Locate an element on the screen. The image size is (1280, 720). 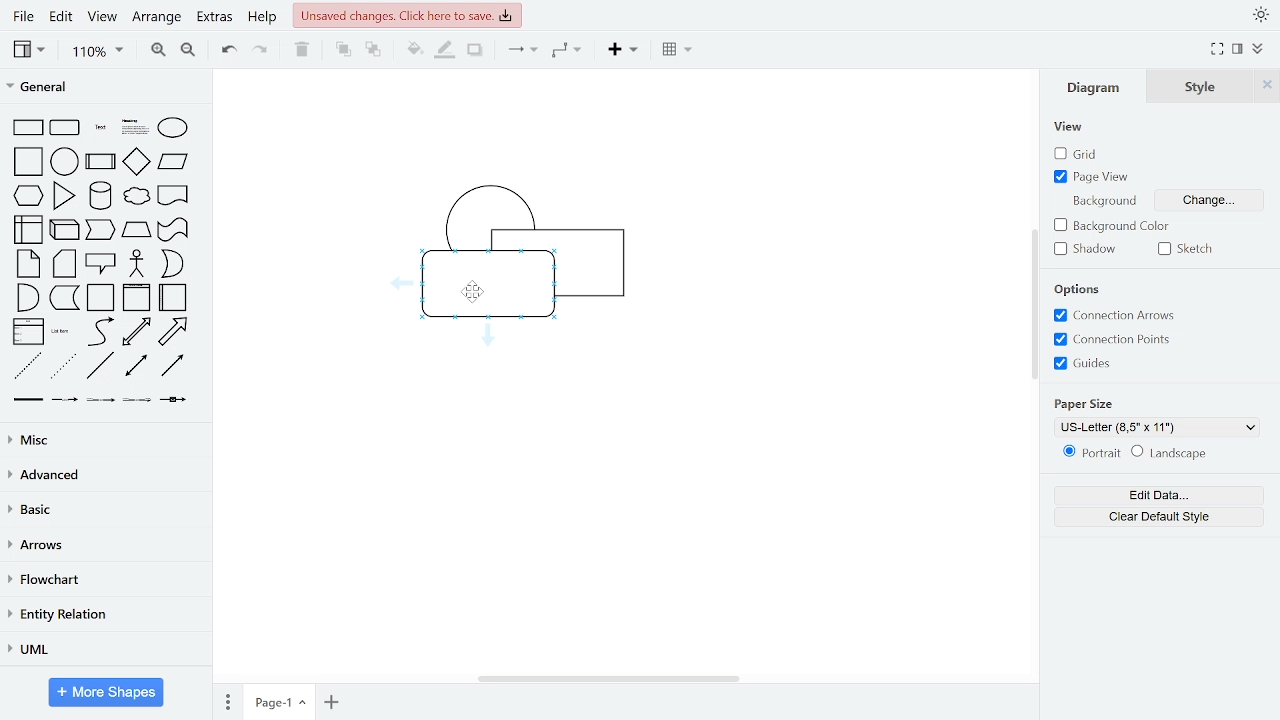
to front is located at coordinates (342, 52).